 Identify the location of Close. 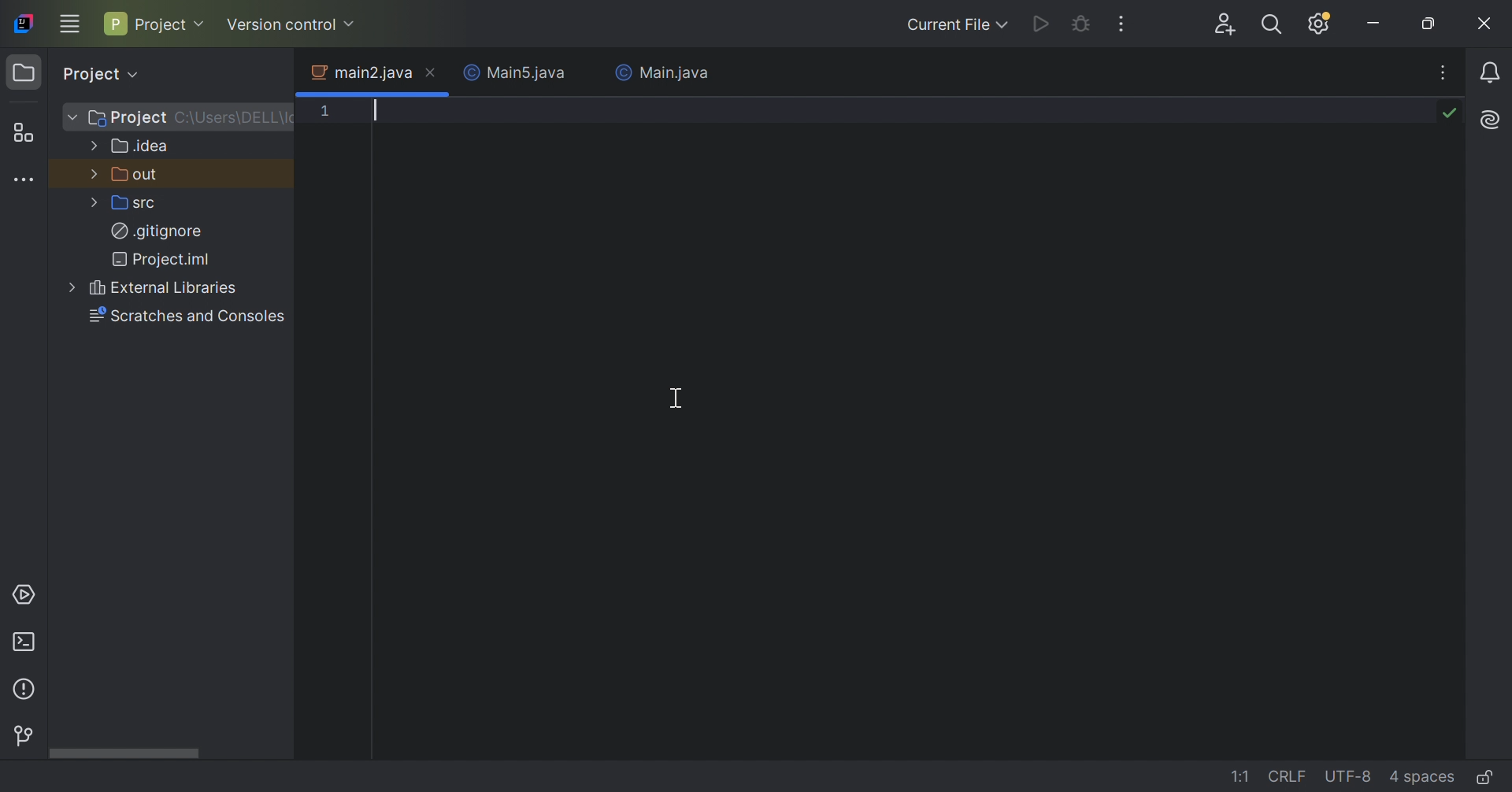
(1484, 24).